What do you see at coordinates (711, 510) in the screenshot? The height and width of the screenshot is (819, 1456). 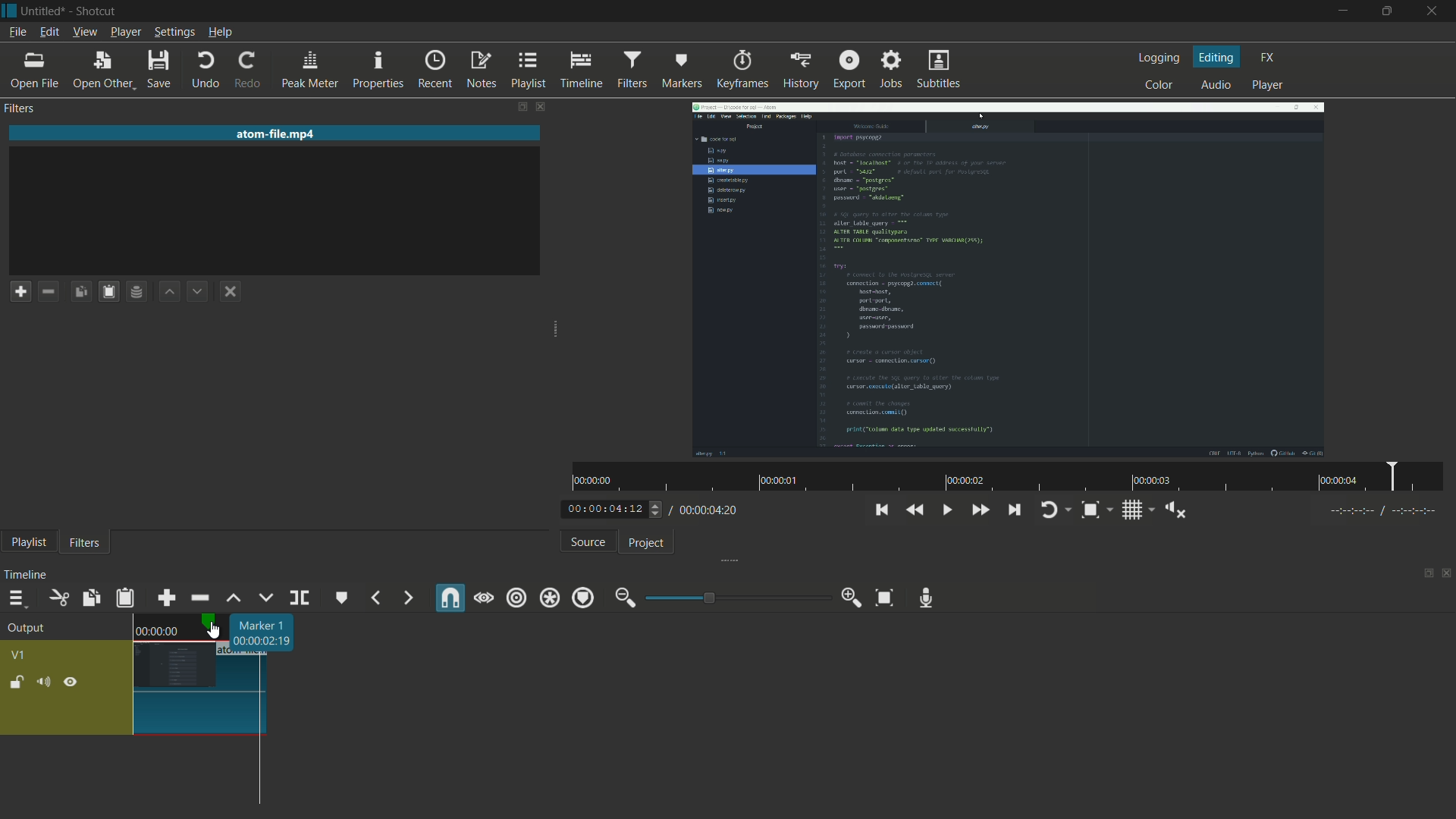 I see `total time` at bounding box center [711, 510].